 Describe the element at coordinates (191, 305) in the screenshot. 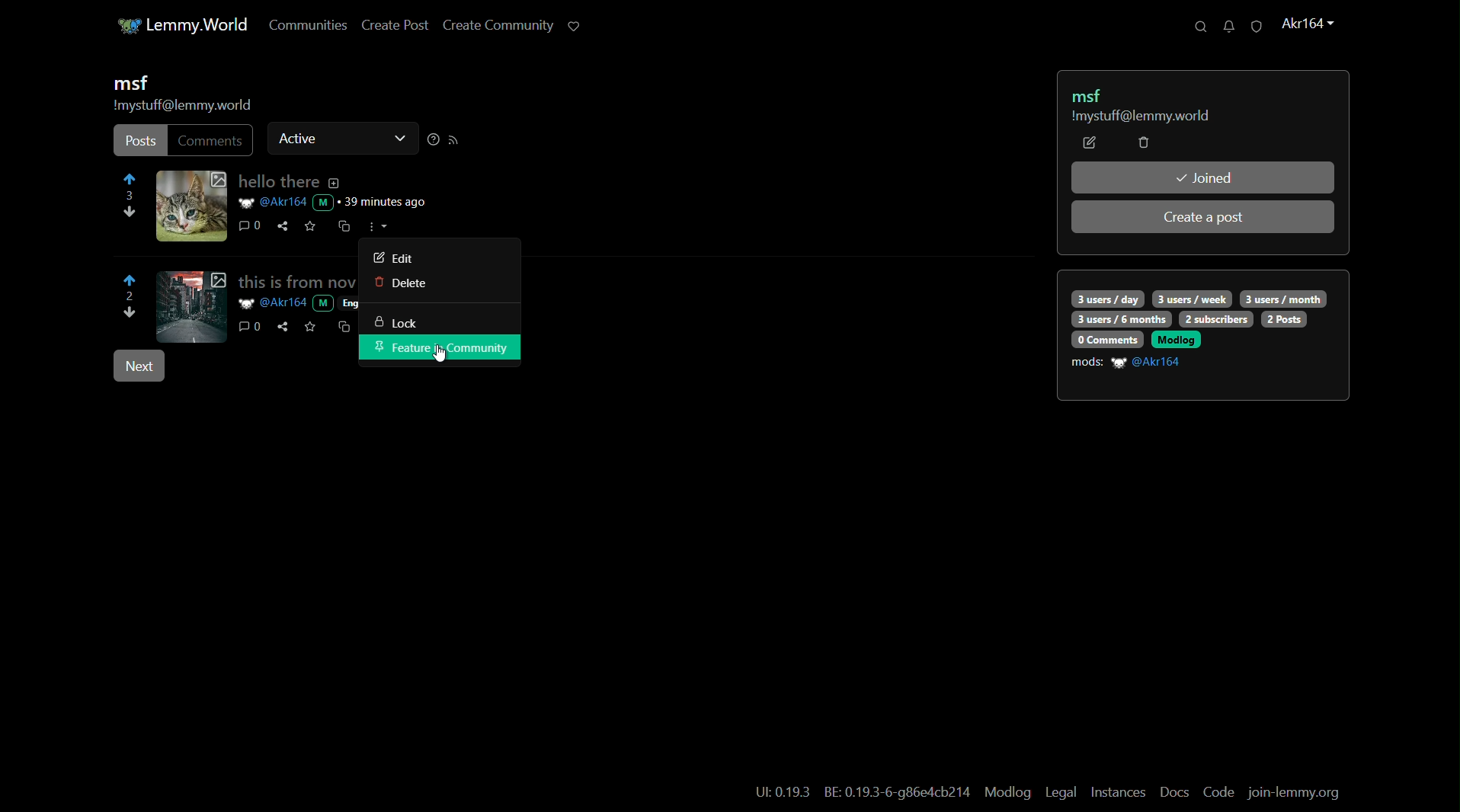

I see `image` at that location.